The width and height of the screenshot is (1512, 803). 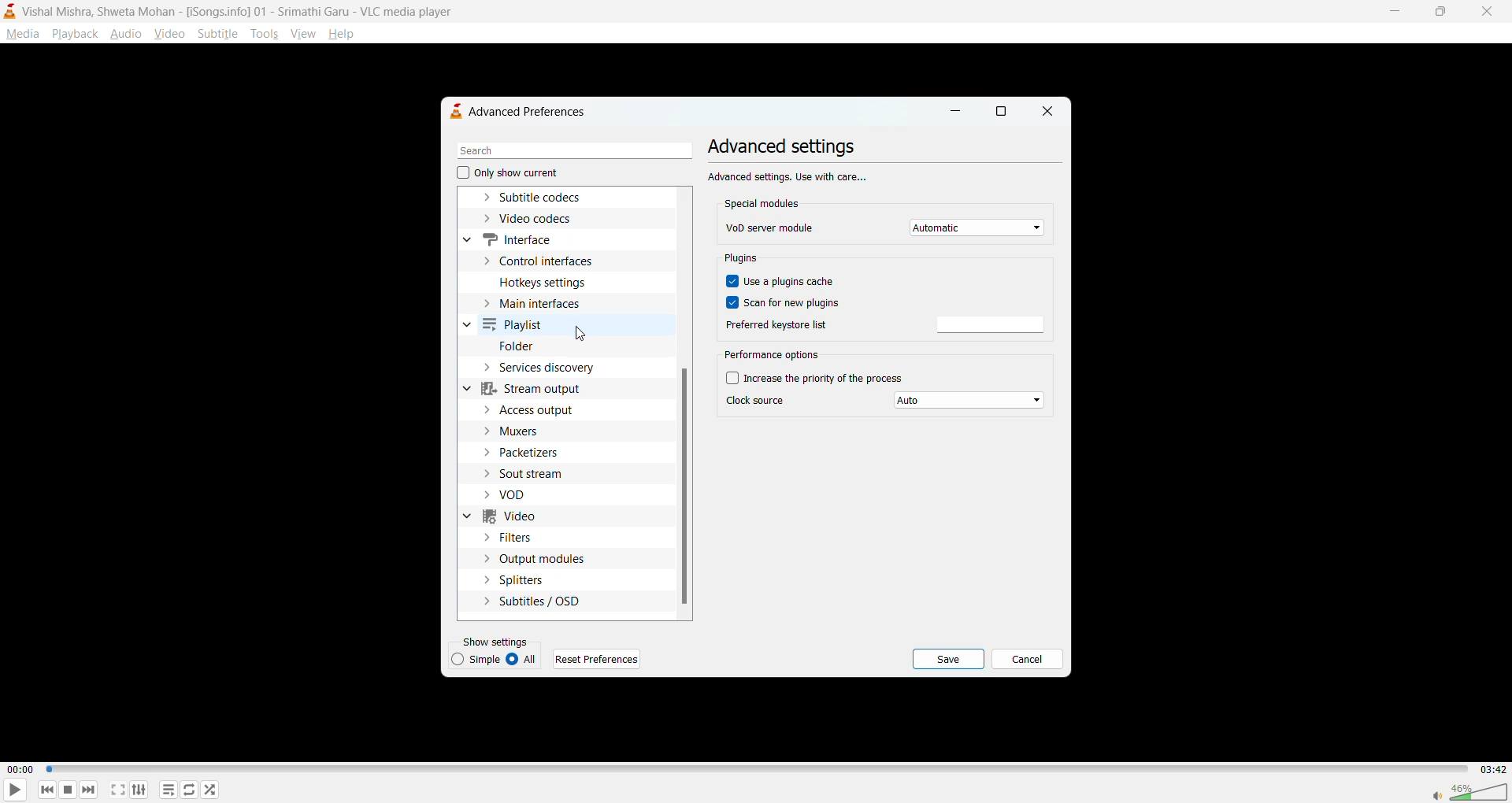 What do you see at coordinates (514, 538) in the screenshot?
I see `filters` at bounding box center [514, 538].